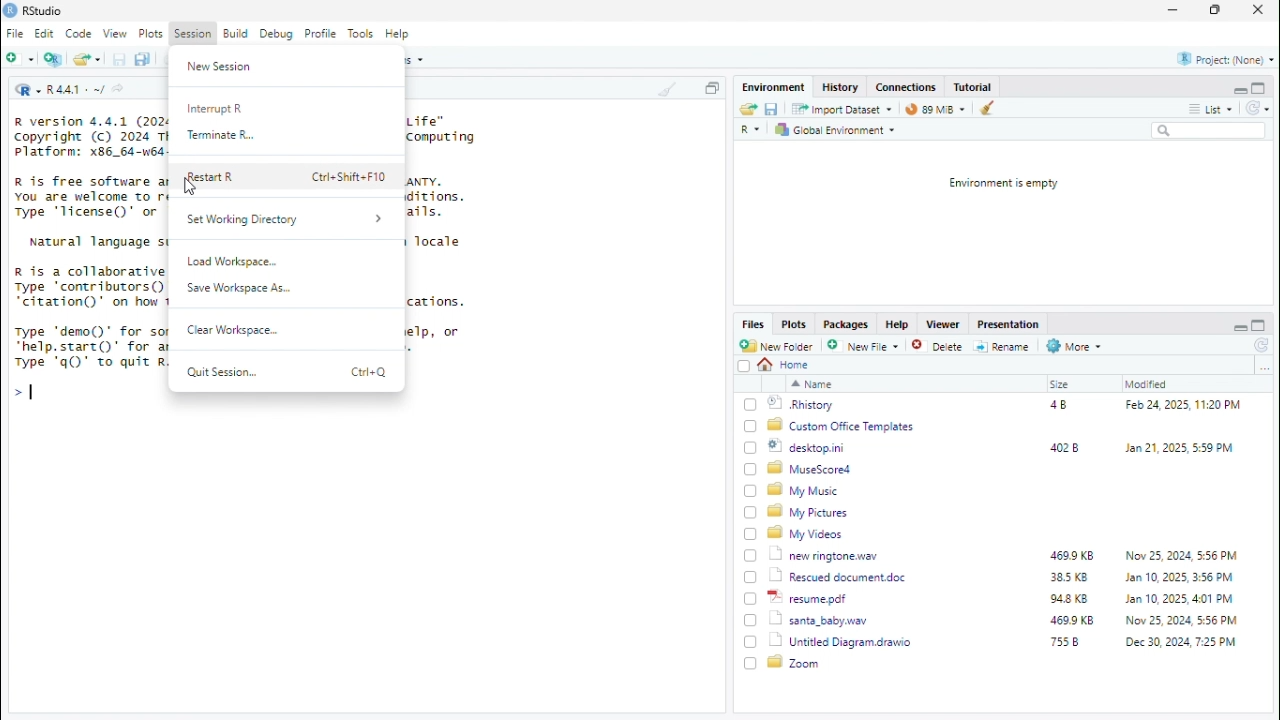  Describe the element at coordinates (810, 469) in the screenshot. I see `MuseScored` at that location.